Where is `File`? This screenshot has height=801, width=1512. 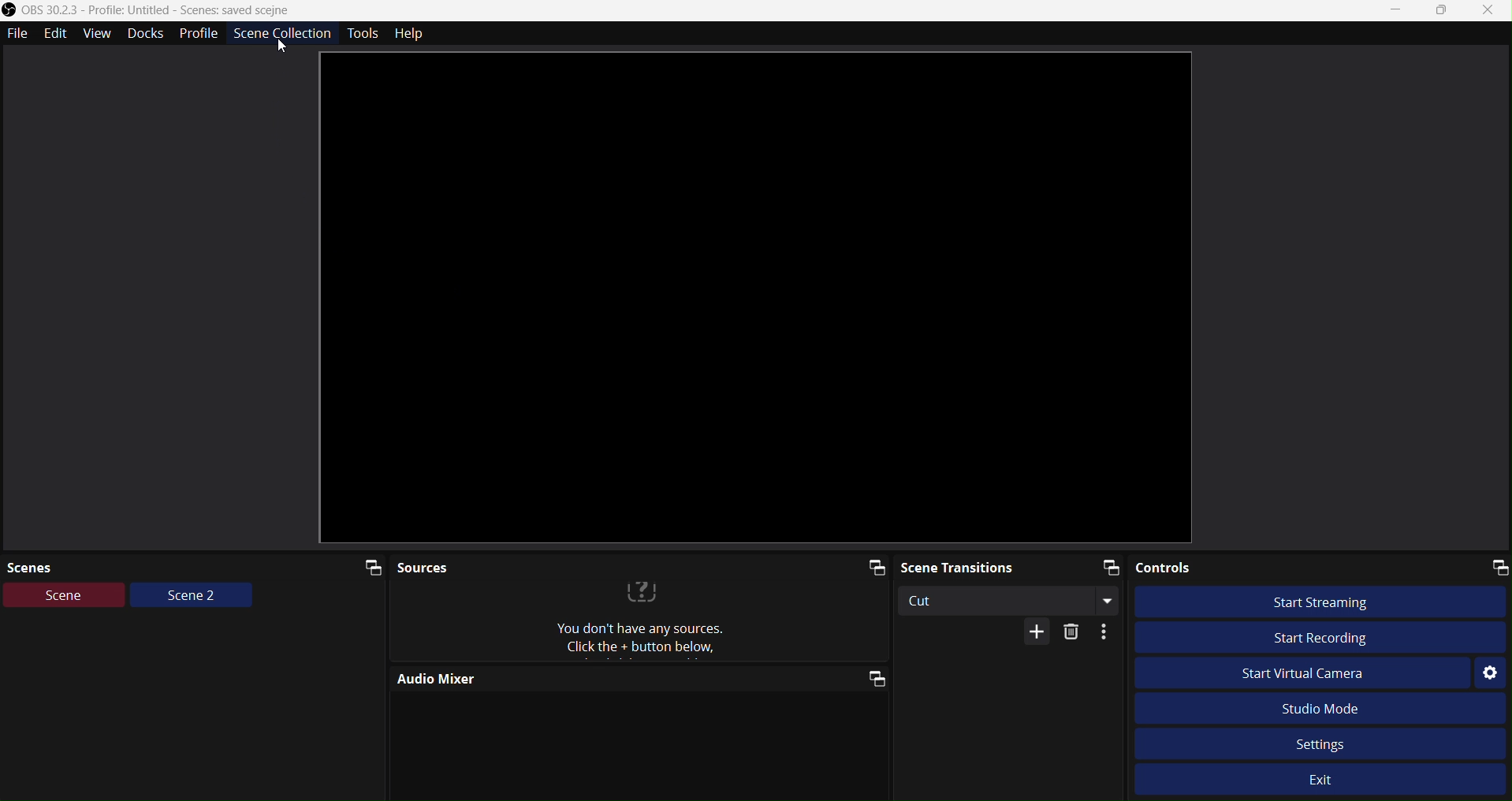 File is located at coordinates (17, 34).